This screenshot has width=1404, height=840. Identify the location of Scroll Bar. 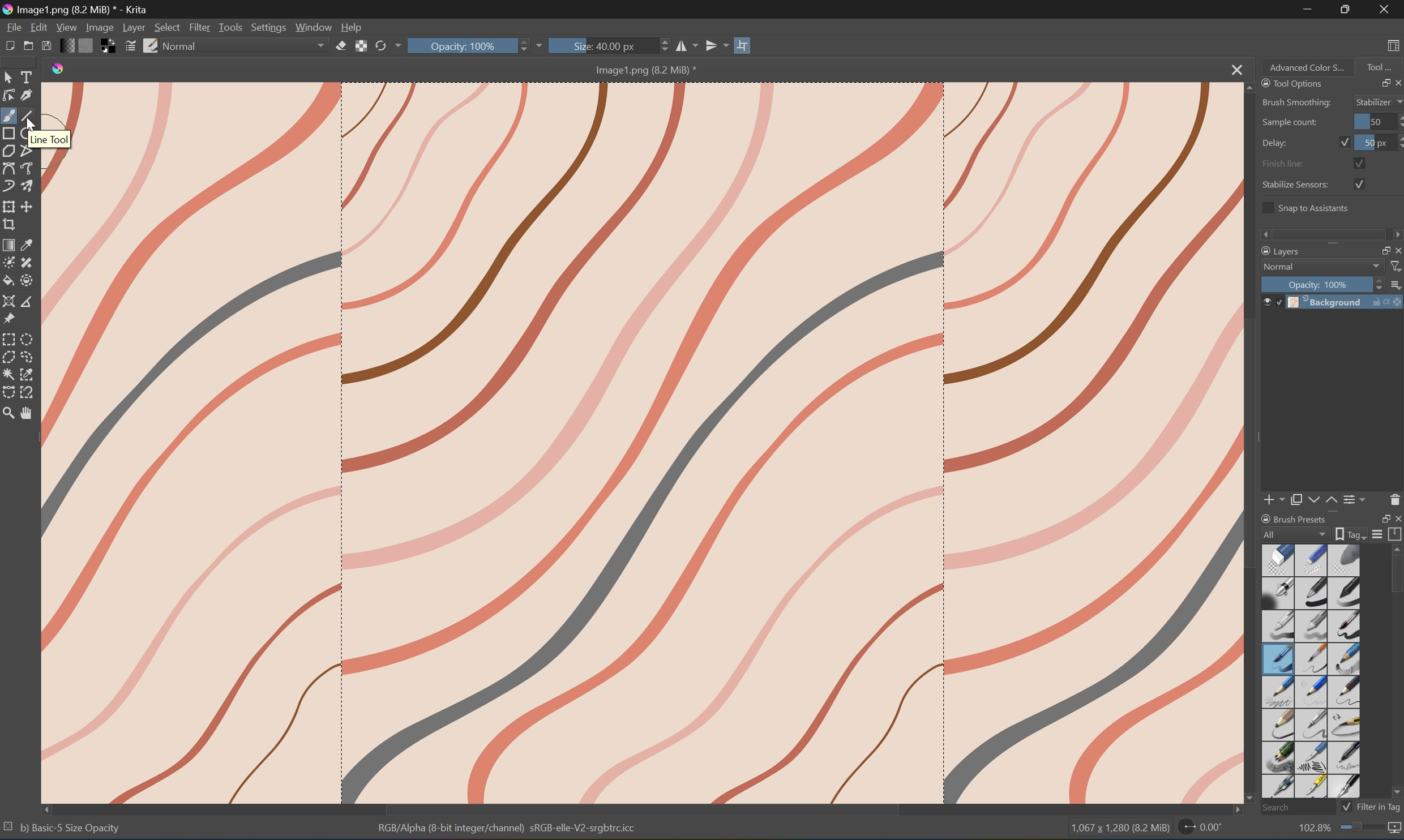
(1326, 233).